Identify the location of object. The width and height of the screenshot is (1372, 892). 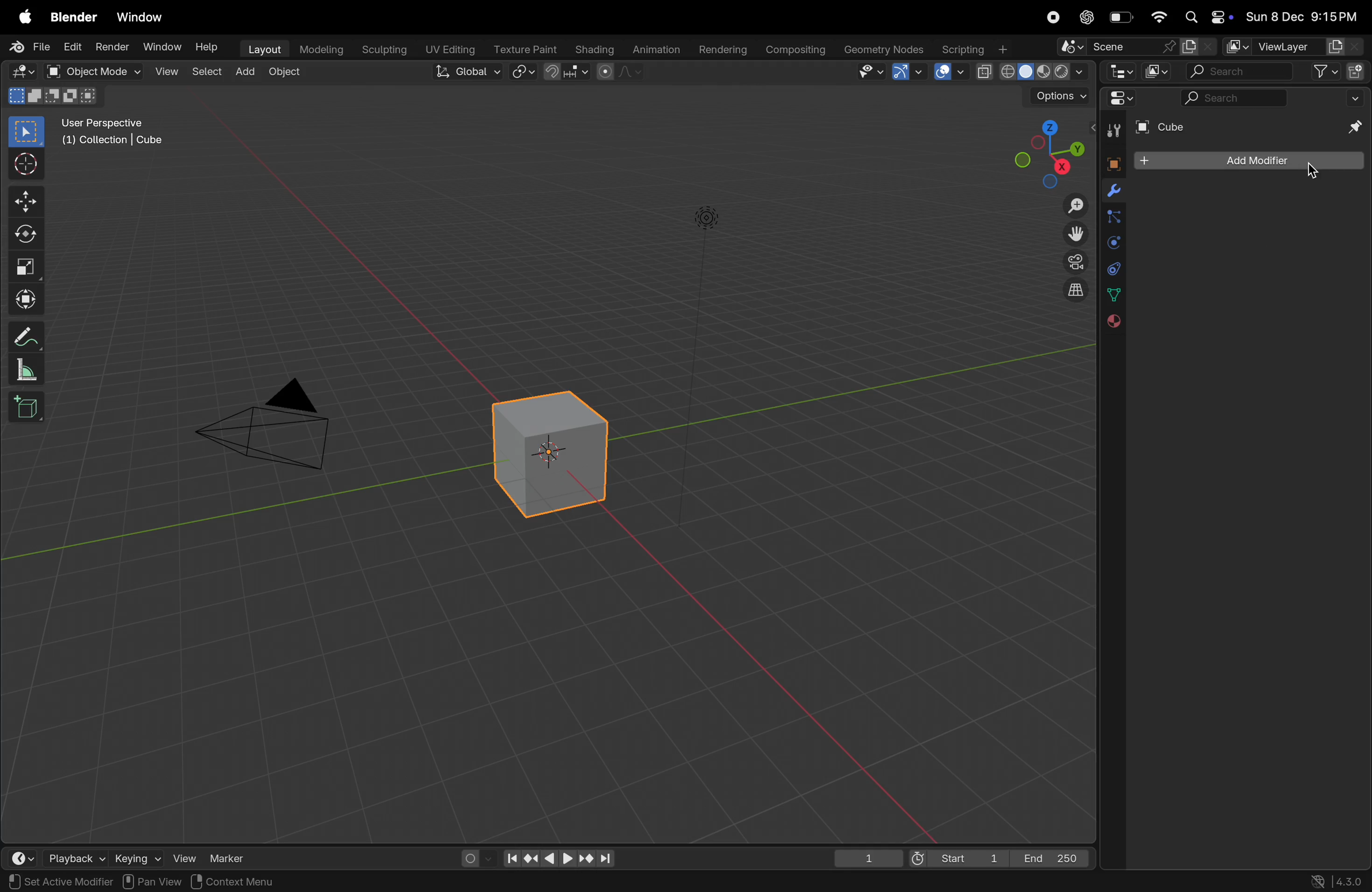
(211, 882).